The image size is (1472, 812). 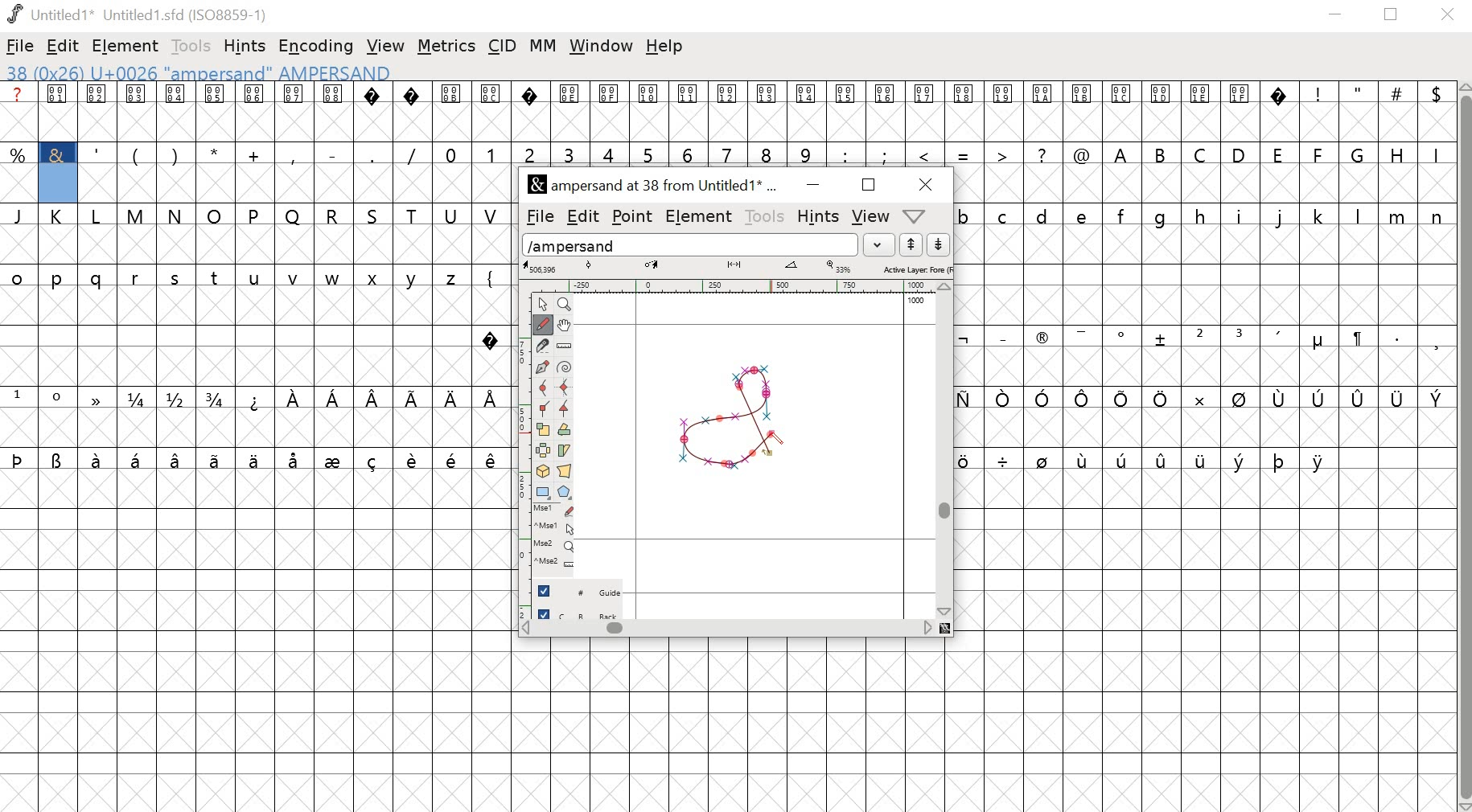 What do you see at coordinates (413, 112) in the screenshot?
I see `?` at bounding box center [413, 112].